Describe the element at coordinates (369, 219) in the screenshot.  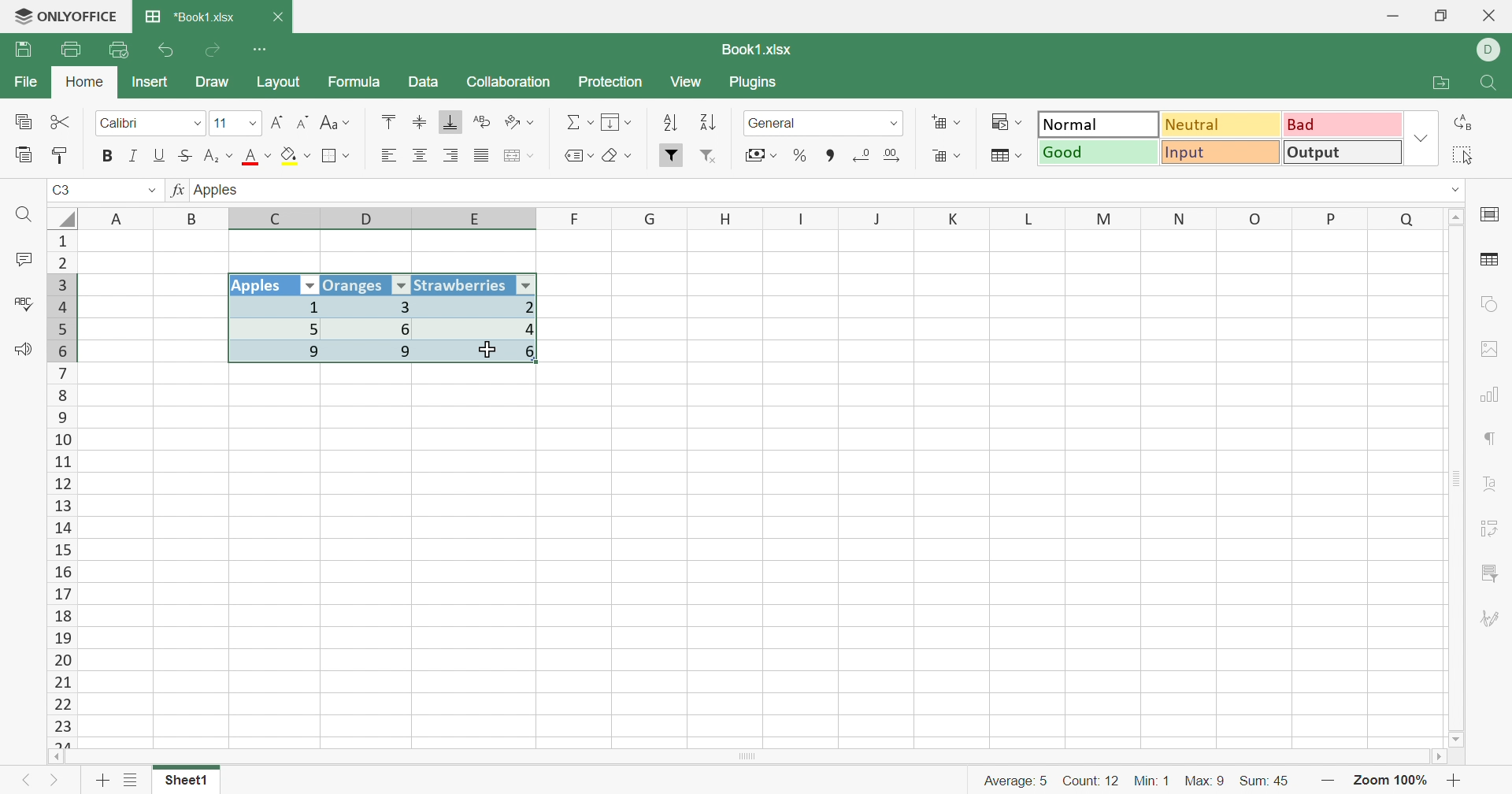
I see `D` at that location.